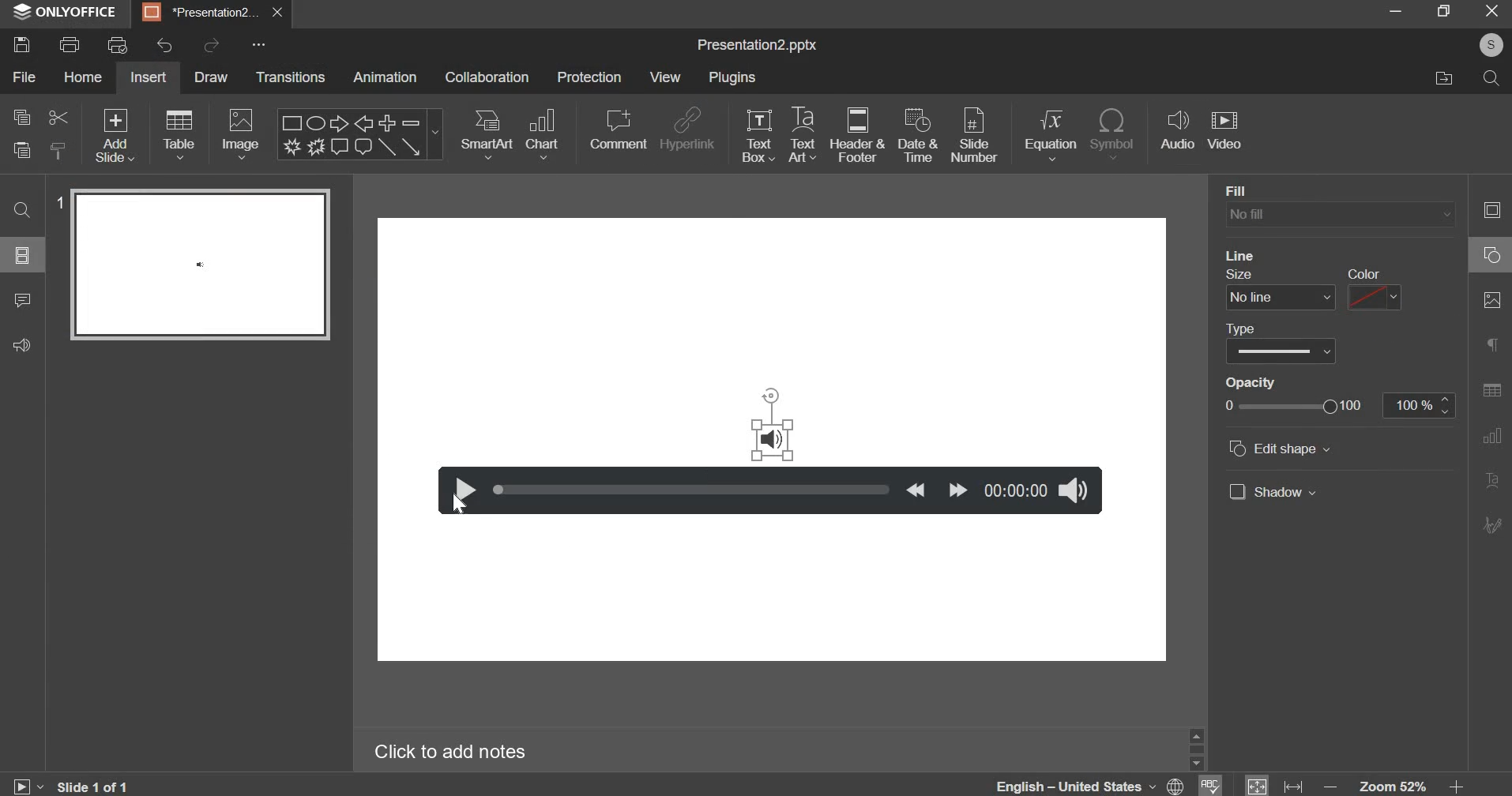 This screenshot has width=1512, height=796. I want to click on smartart, so click(487, 133).